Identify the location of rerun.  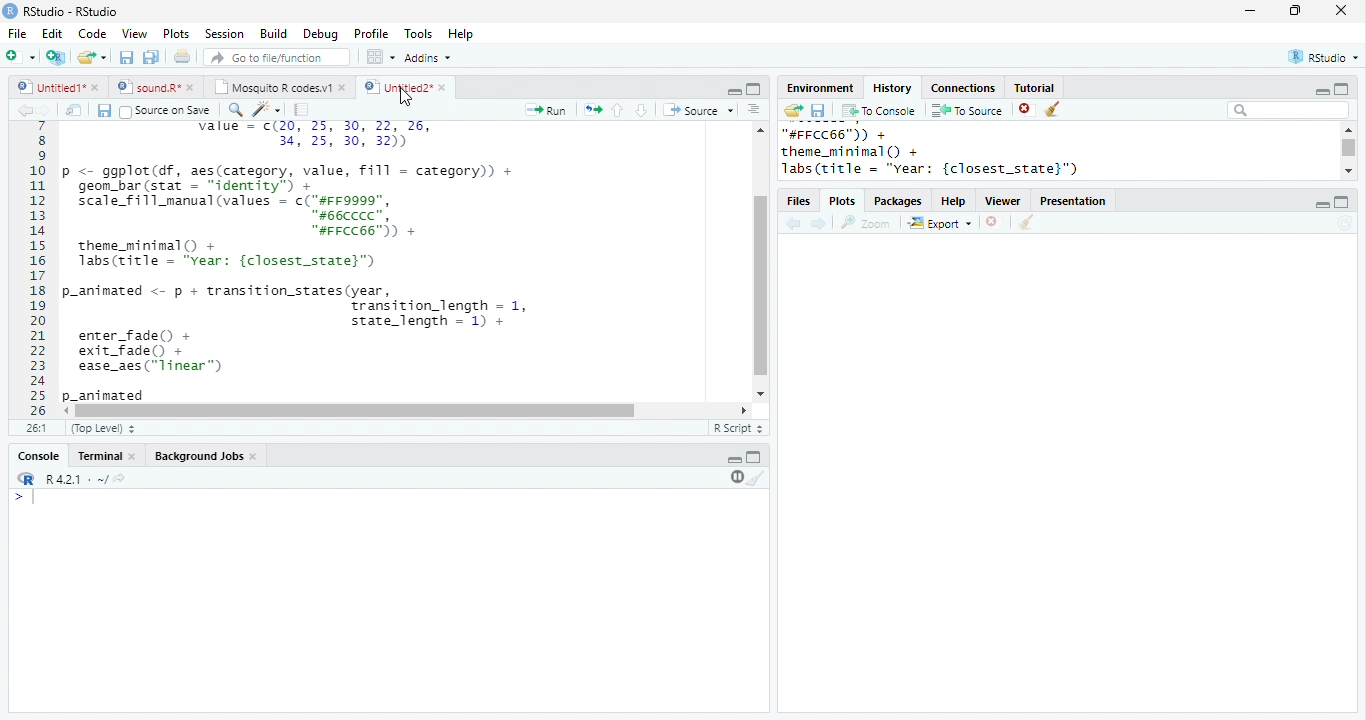
(594, 109).